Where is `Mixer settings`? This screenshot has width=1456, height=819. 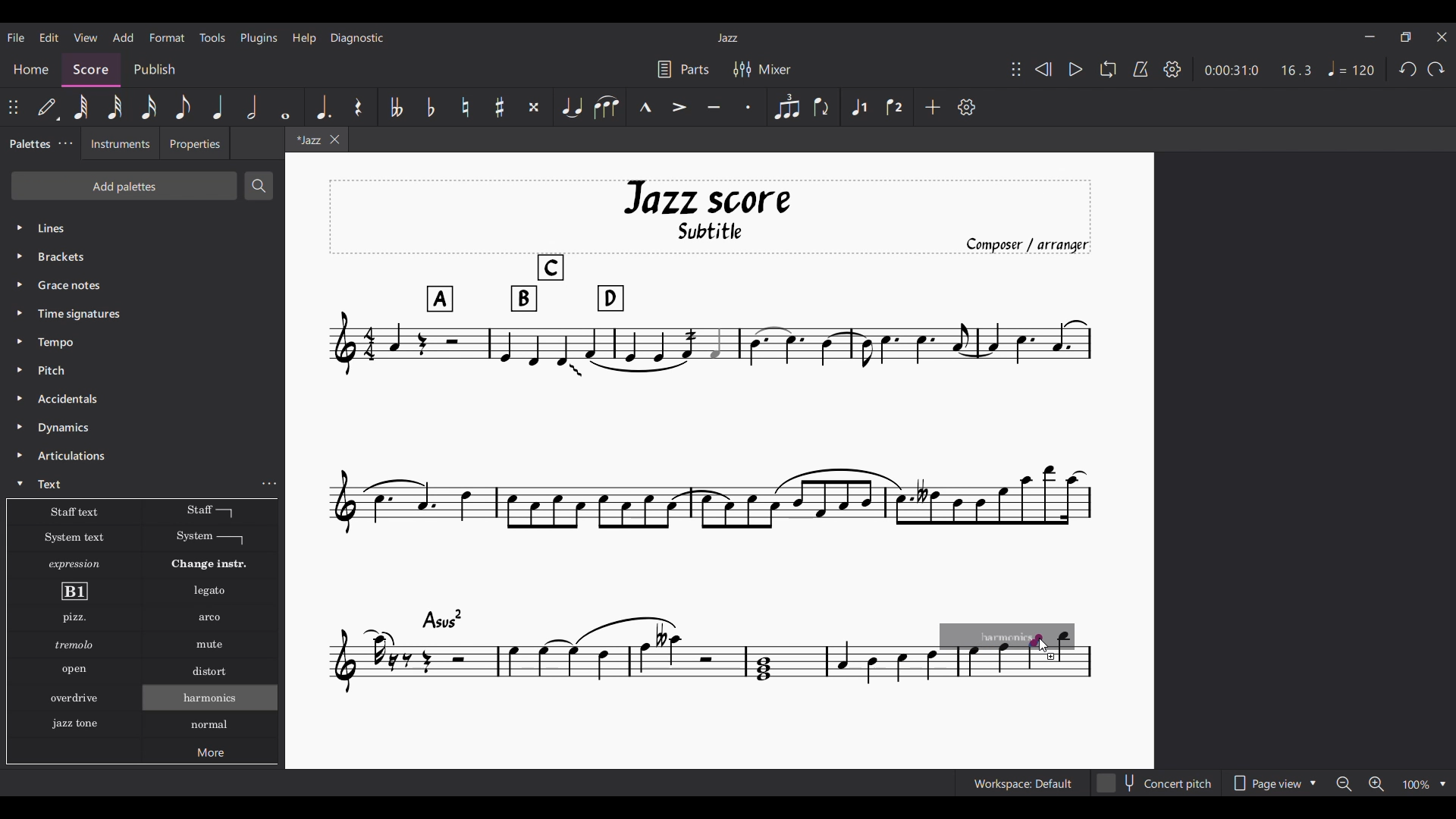
Mixer settings is located at coordinates (761, 68).